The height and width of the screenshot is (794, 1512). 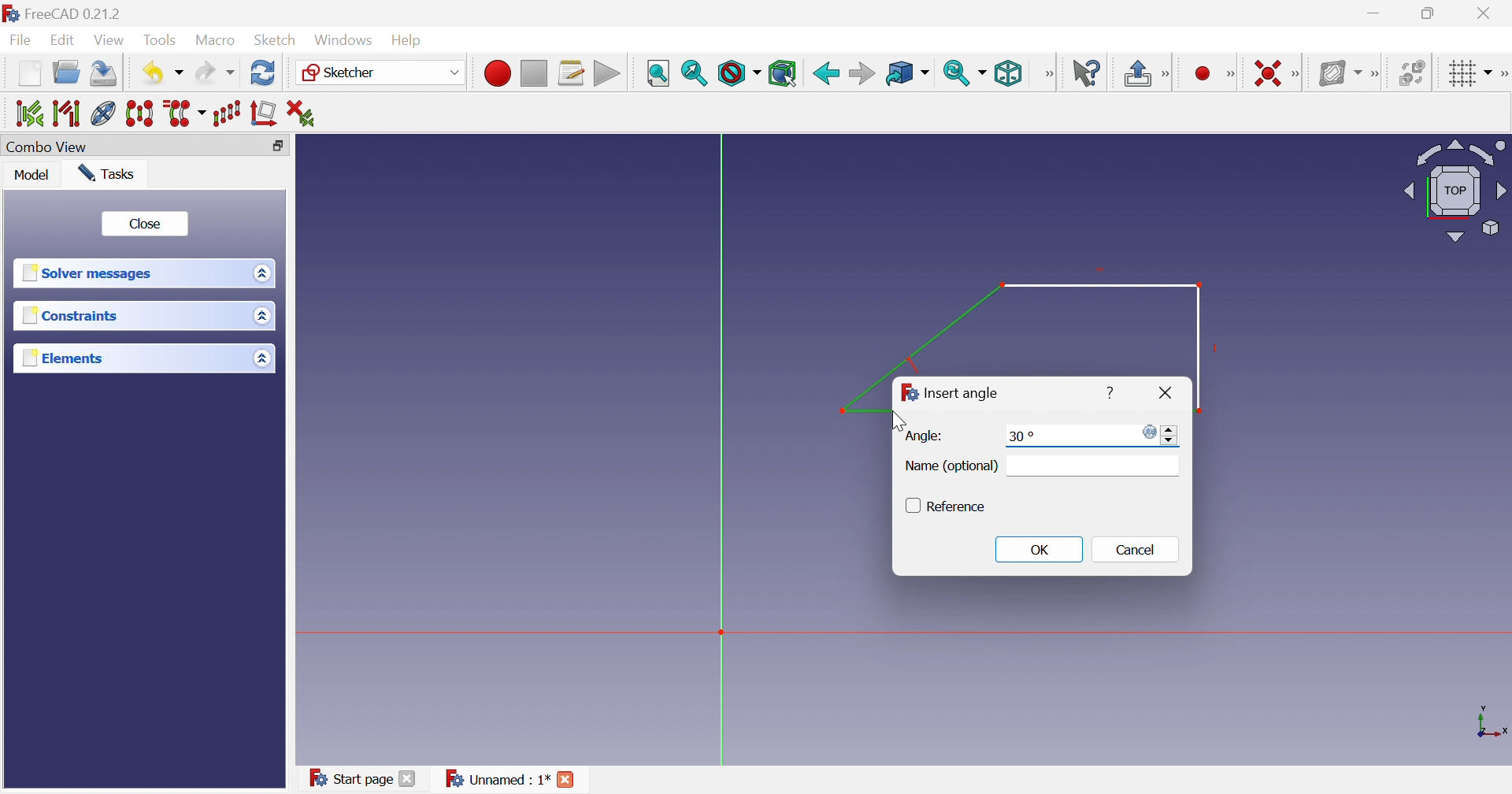 What do you see at coordinates (180, 73) in the screenshot?
I see `Drop Down` at bounding box center [180, 73].